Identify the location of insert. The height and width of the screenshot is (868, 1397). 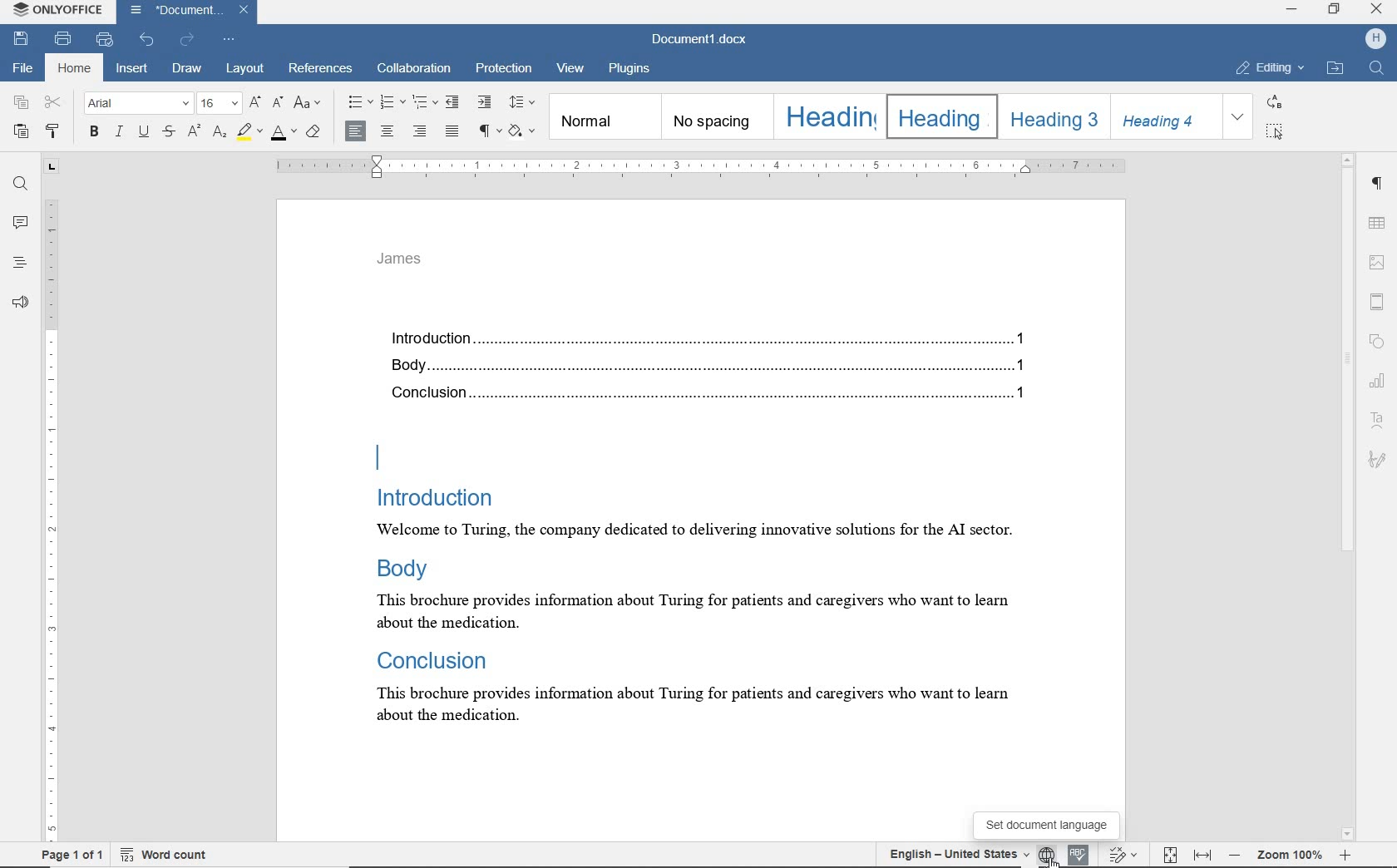
(131, 69).